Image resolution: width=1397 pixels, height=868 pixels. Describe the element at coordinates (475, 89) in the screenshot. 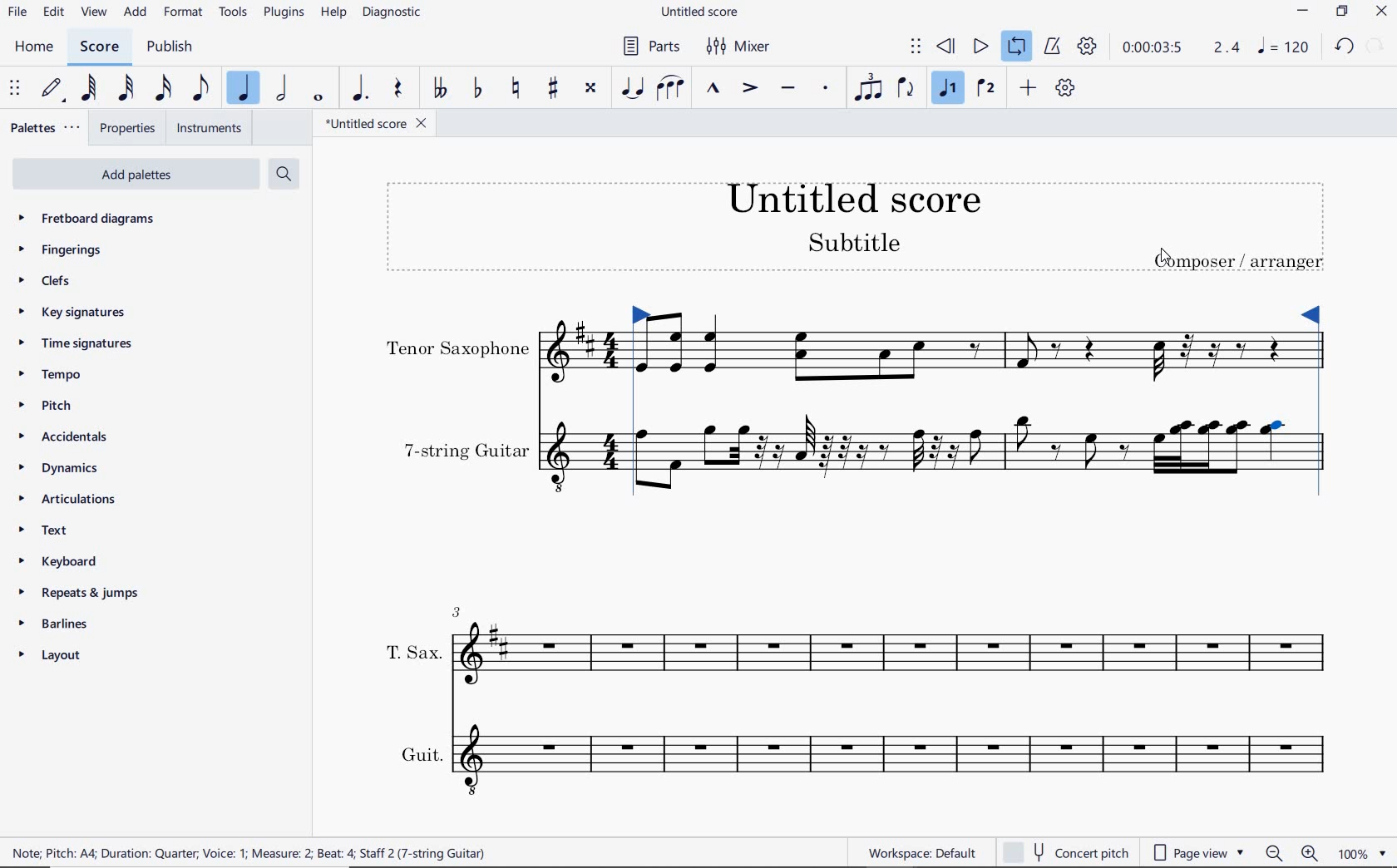

I see `TOGGLE FLAT` at that location.